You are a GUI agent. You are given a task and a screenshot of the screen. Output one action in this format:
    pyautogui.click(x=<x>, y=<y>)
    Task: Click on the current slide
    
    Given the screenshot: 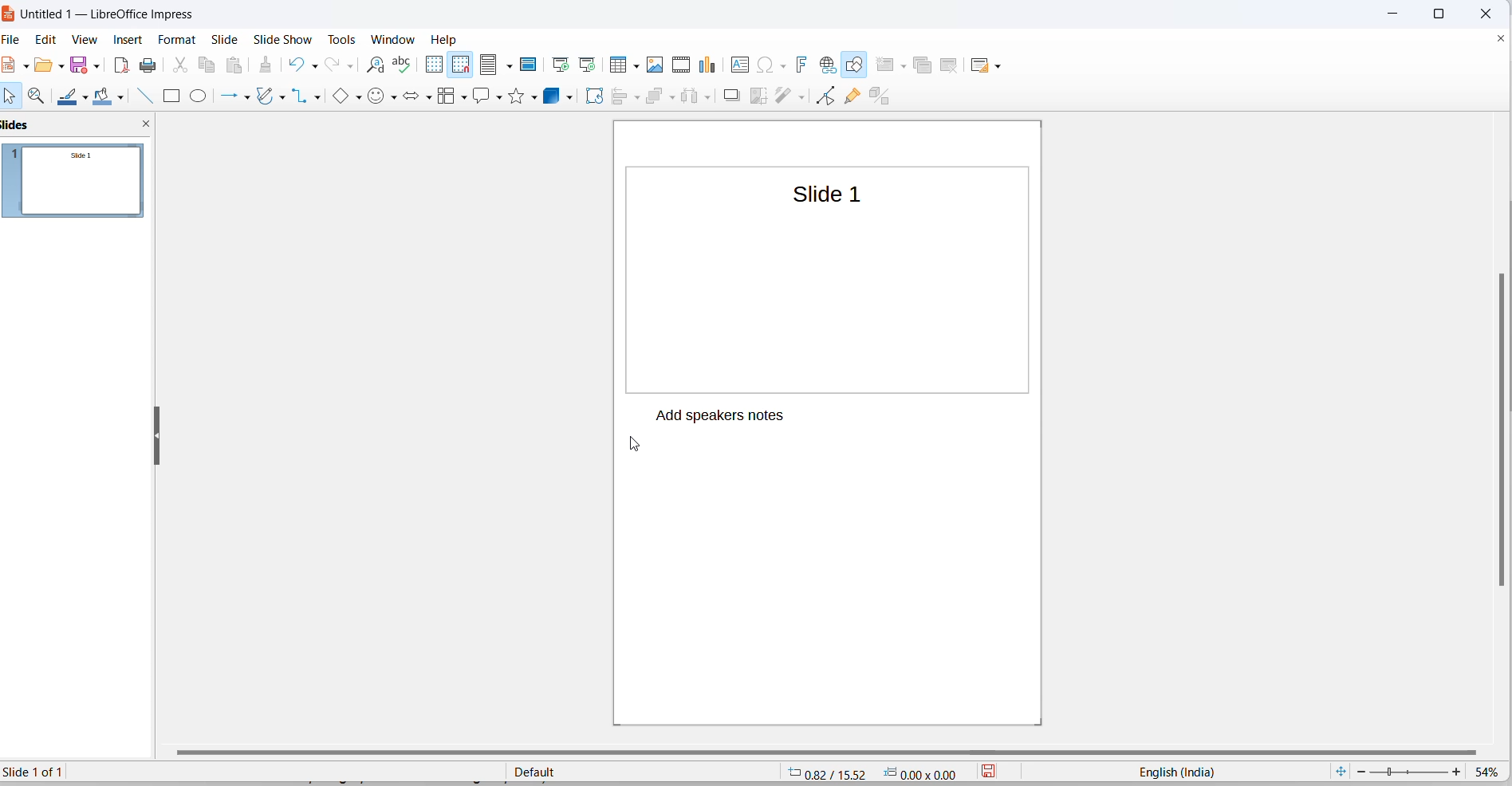 What is the action you would take?
    pyautogui.click(x=41, y=772)
    